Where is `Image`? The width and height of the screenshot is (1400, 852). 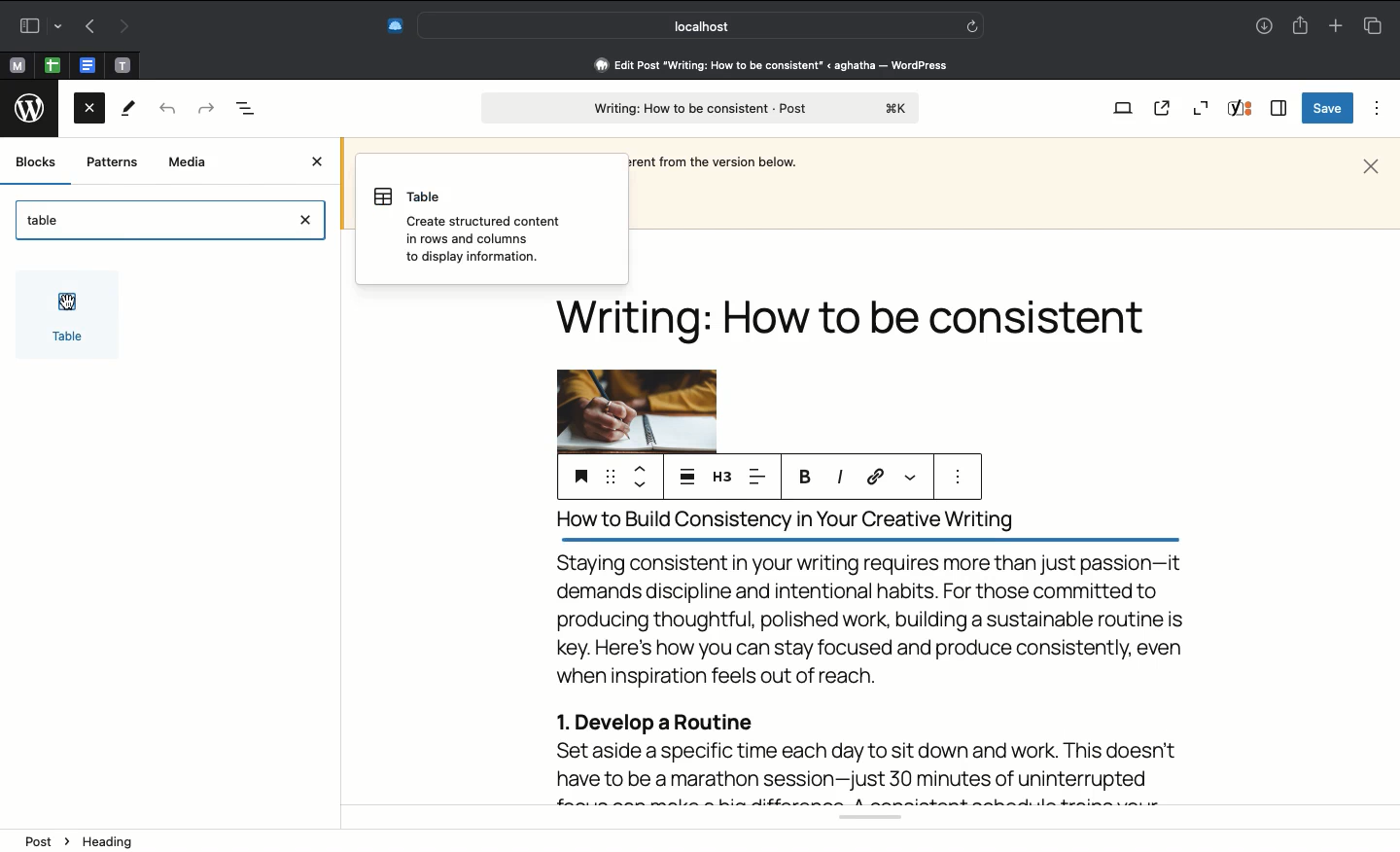 Image is located at coordinates (635, 410).